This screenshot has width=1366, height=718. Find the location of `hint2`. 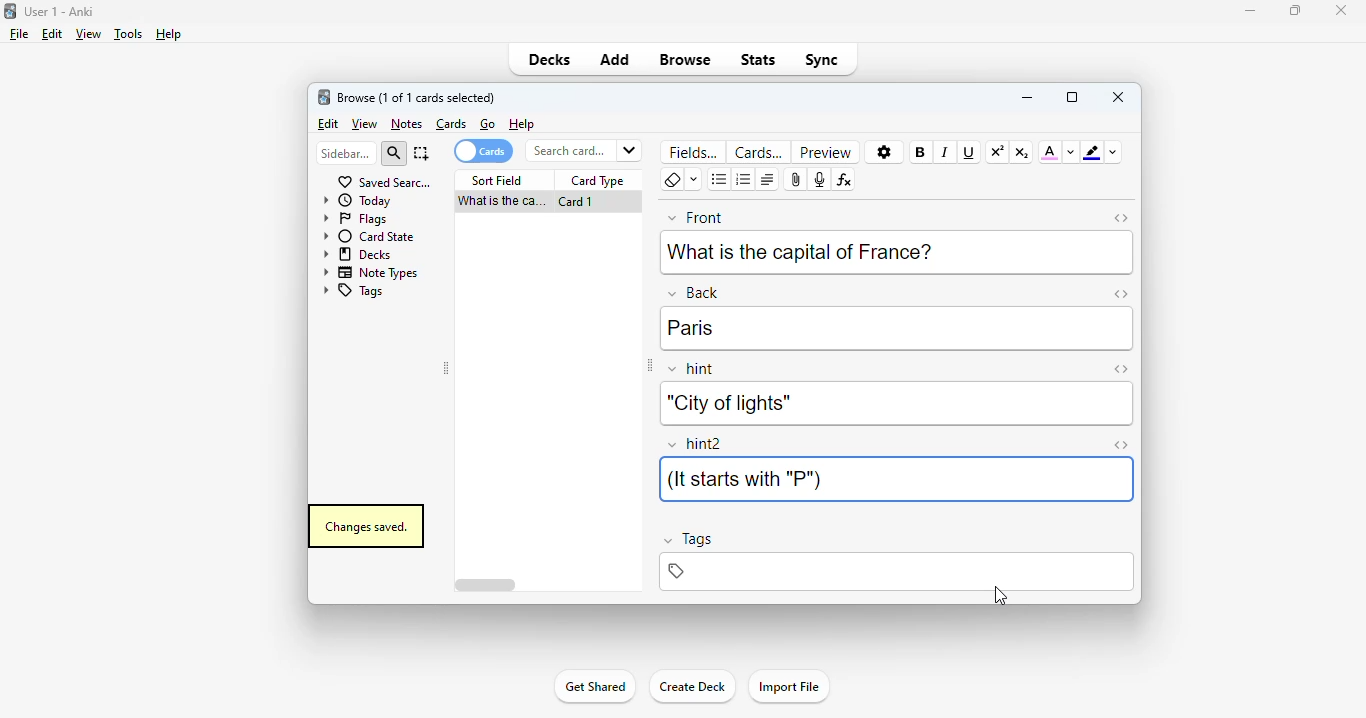

hint2 is located at coordinates (696, 444).